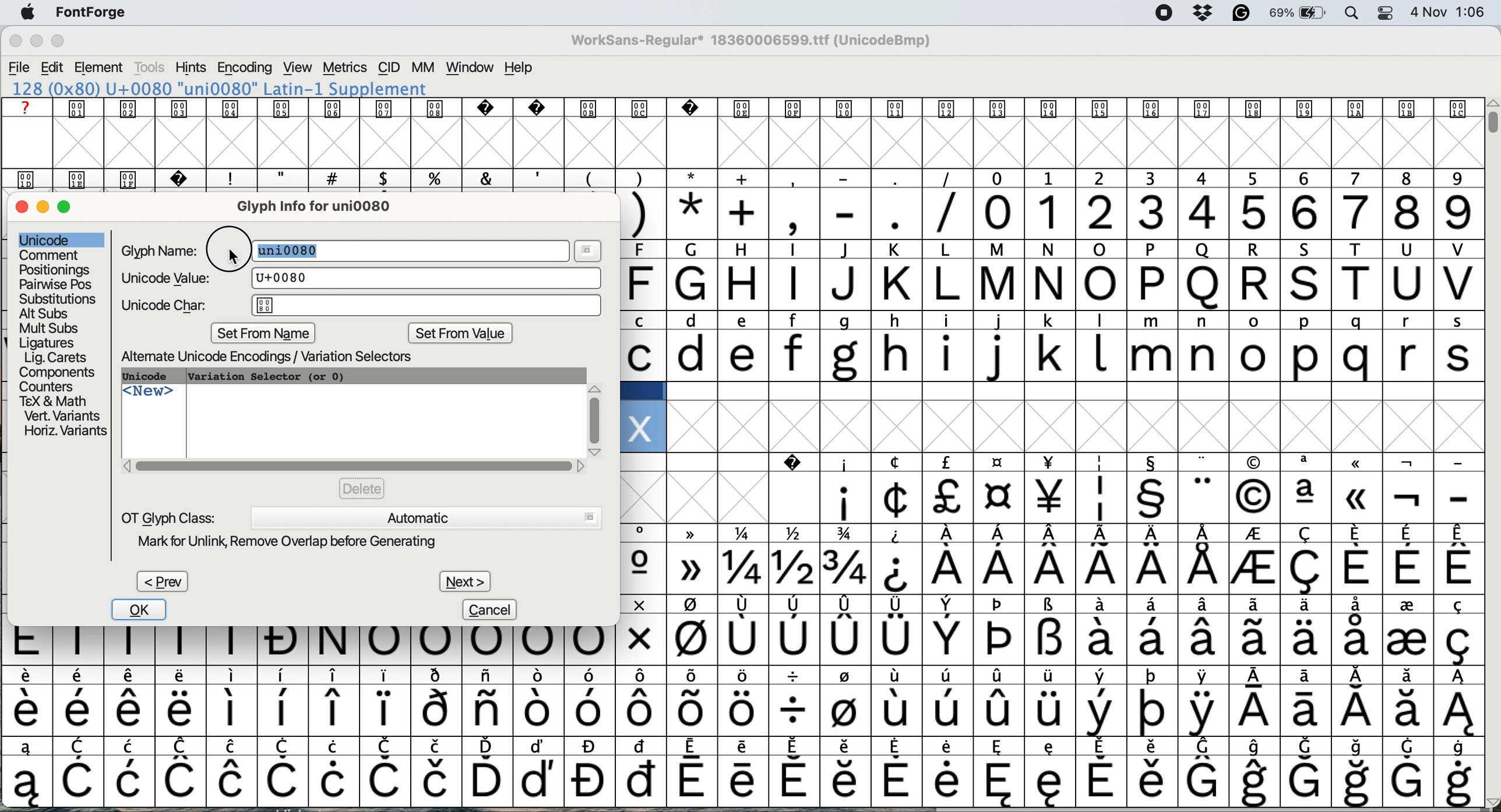 The image size is (1501, 812). I want to click on capital letters a to v, so click(1041, 288).